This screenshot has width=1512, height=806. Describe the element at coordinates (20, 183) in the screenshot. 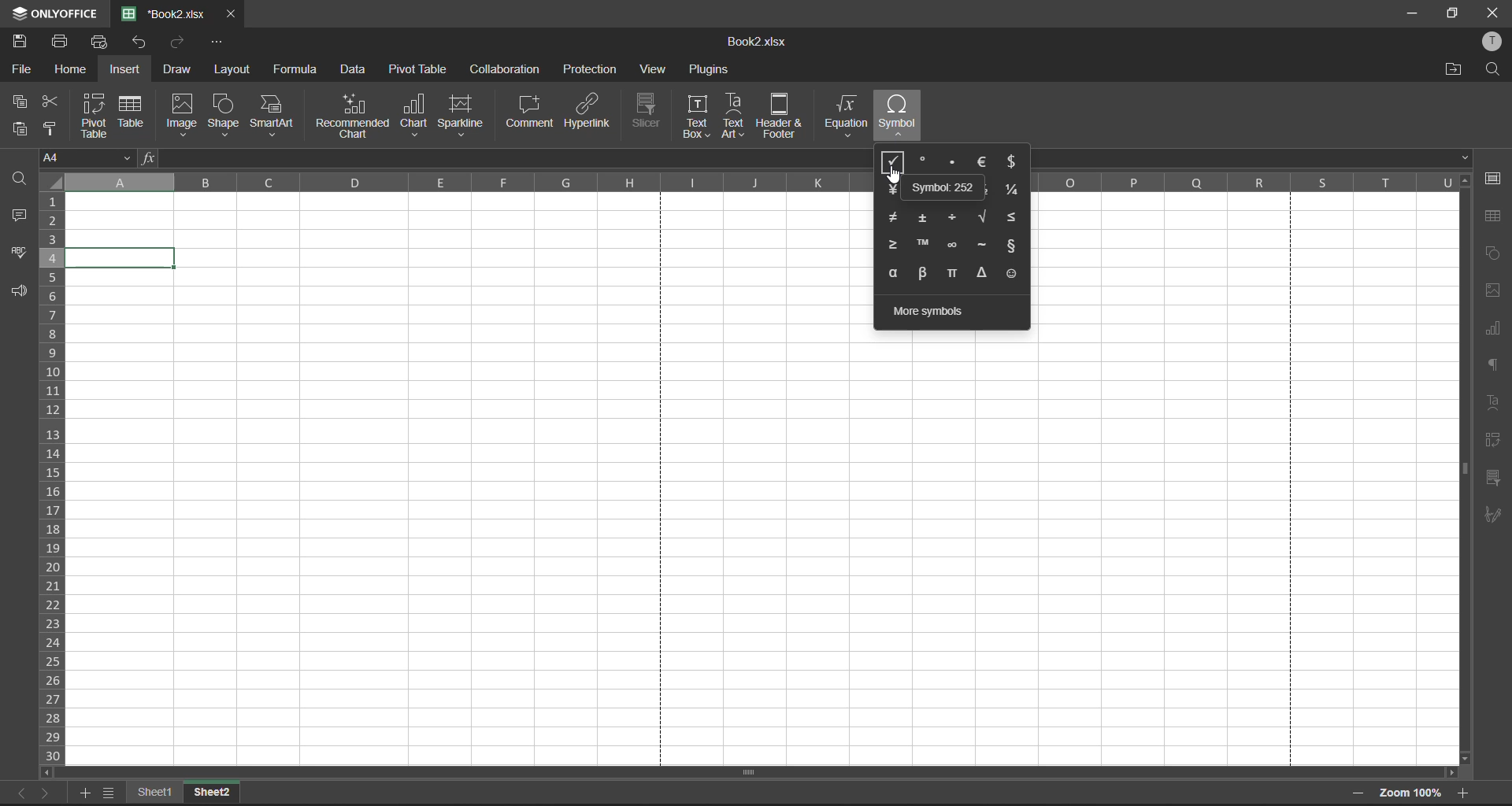

I see `find` at that location.